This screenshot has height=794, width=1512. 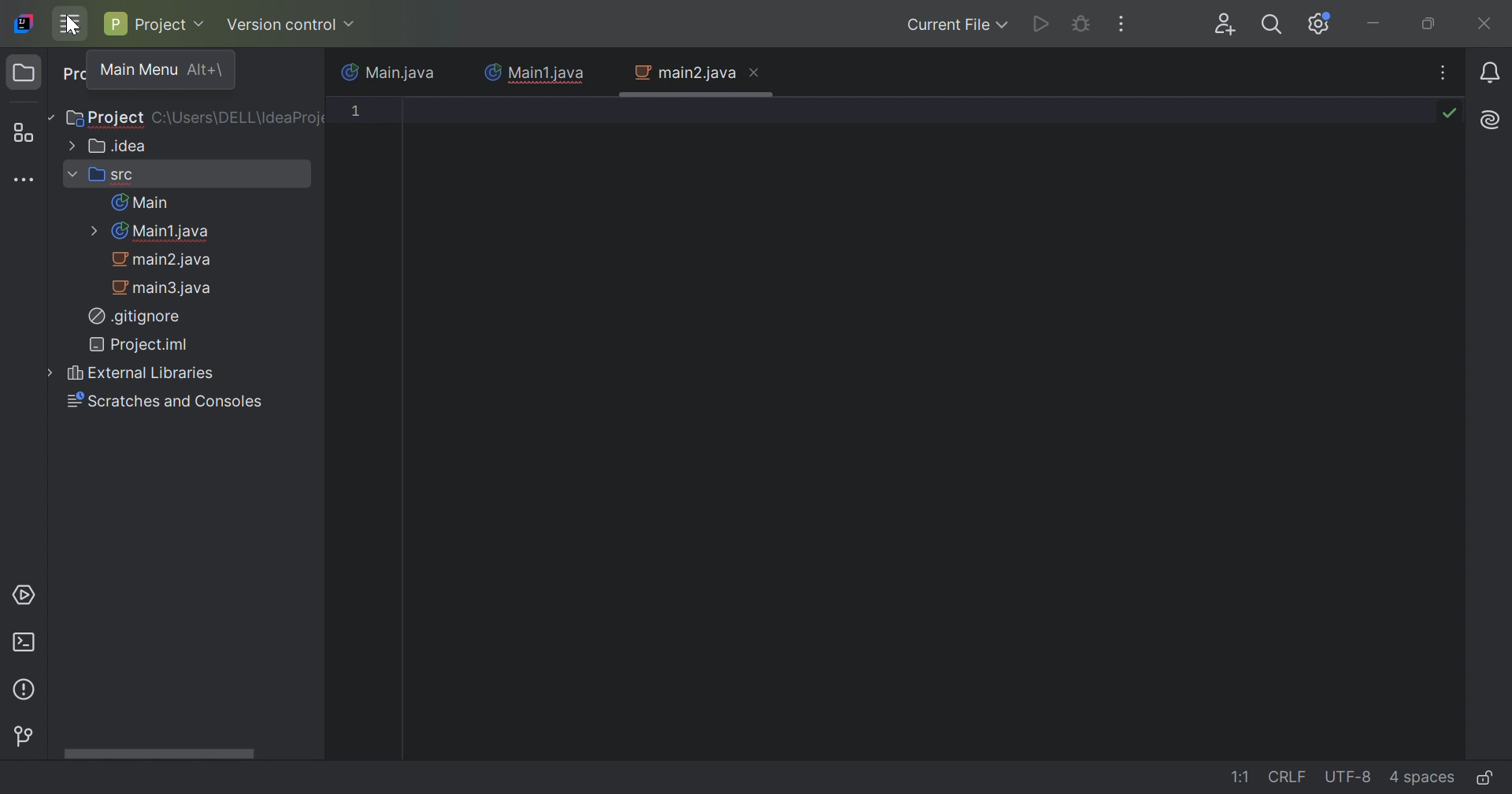 I want to click on Main Menu, so click(x=137, y=70).